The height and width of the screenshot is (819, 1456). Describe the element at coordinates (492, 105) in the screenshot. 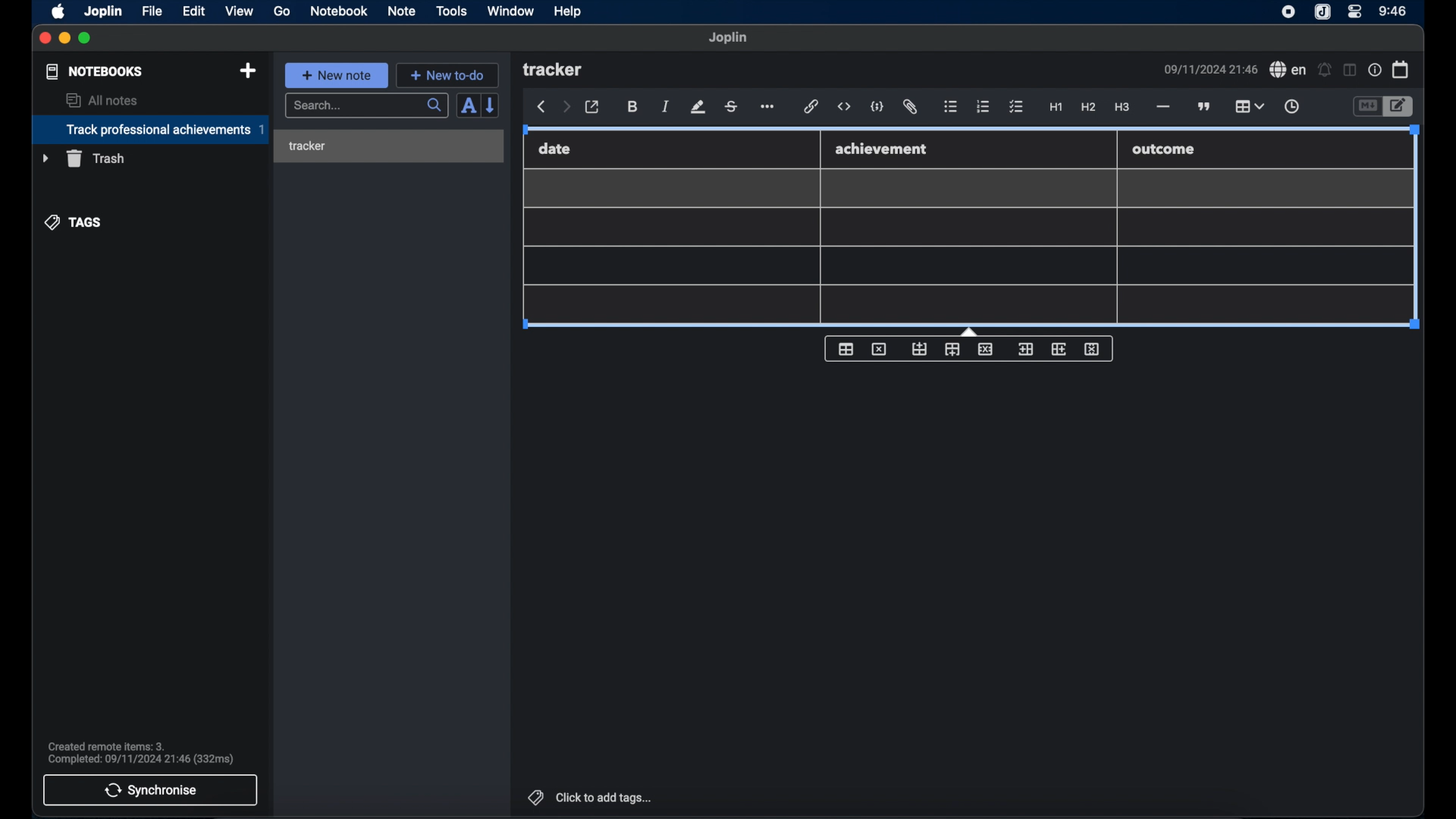

I see `reverse sort order` at that location.